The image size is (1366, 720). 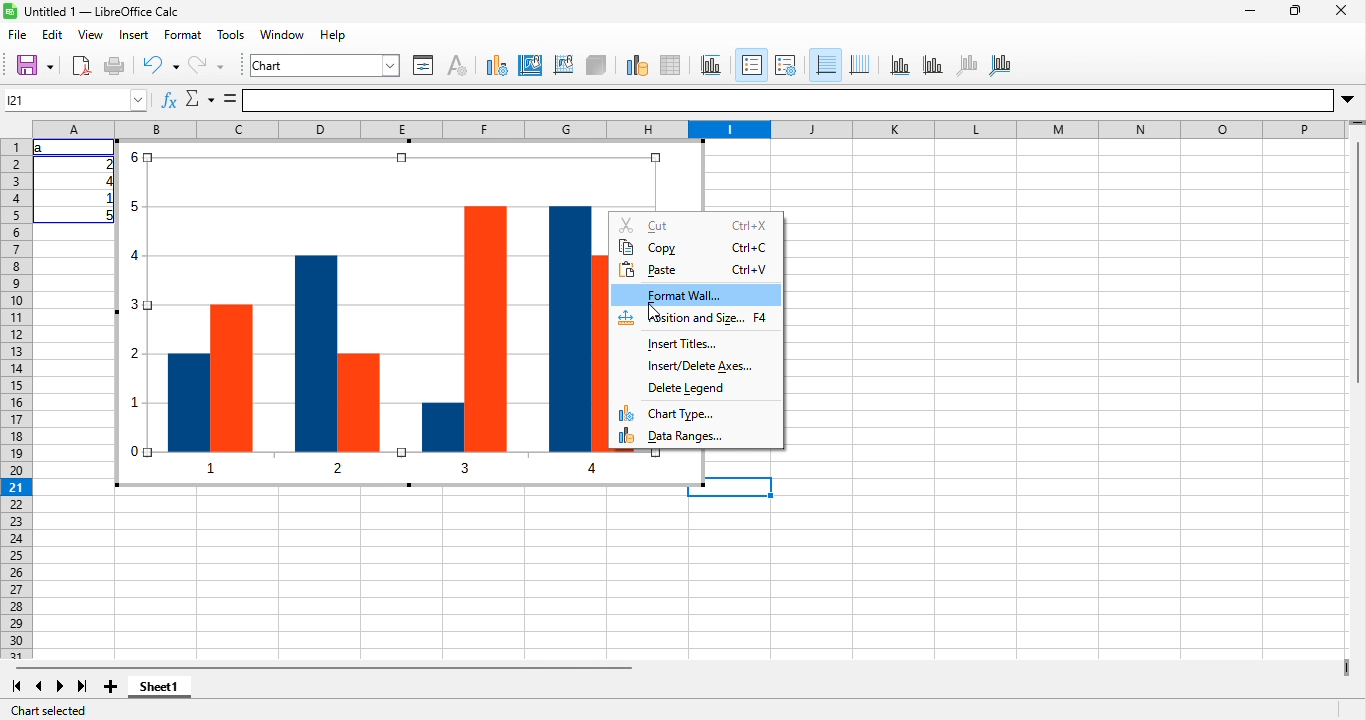 What do you see at coordinates (1341, 11) in the screenshot?
I see `close` at bounding box center [1341, 11].